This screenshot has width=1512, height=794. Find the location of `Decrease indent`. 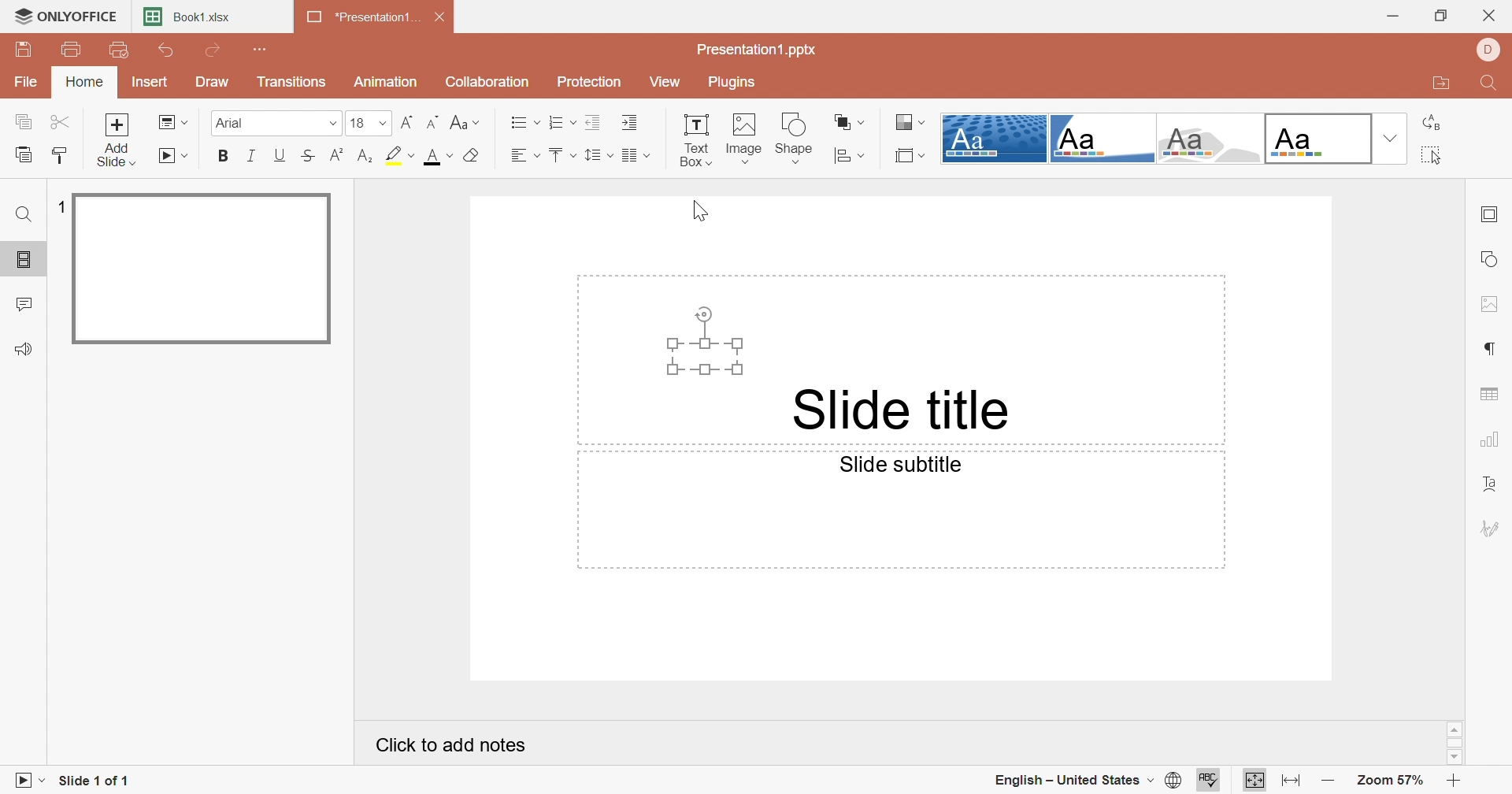

Decrease indent is located at coordinates (591, 124).